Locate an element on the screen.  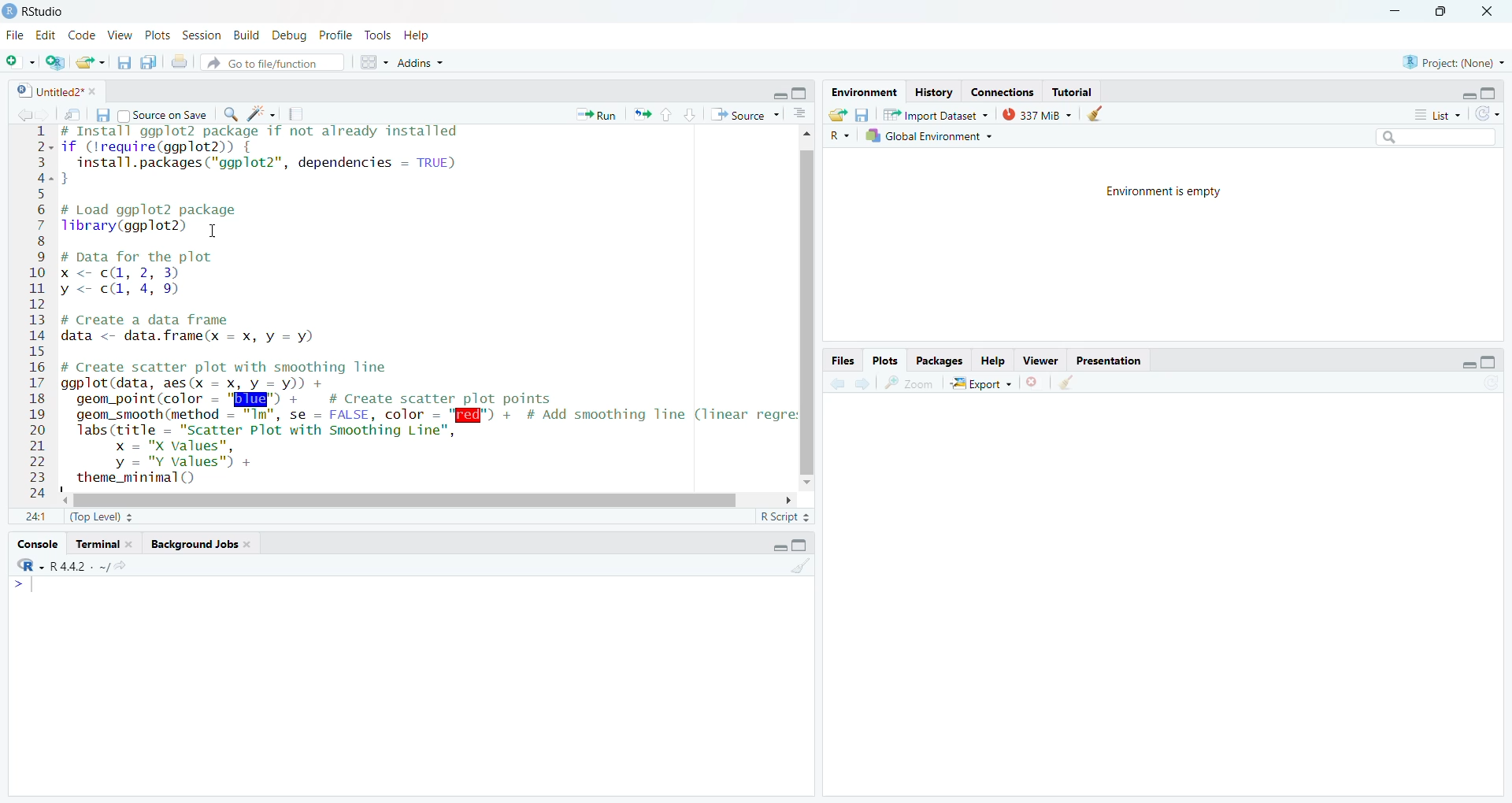
hide console is located at coordinates (1490, 94).